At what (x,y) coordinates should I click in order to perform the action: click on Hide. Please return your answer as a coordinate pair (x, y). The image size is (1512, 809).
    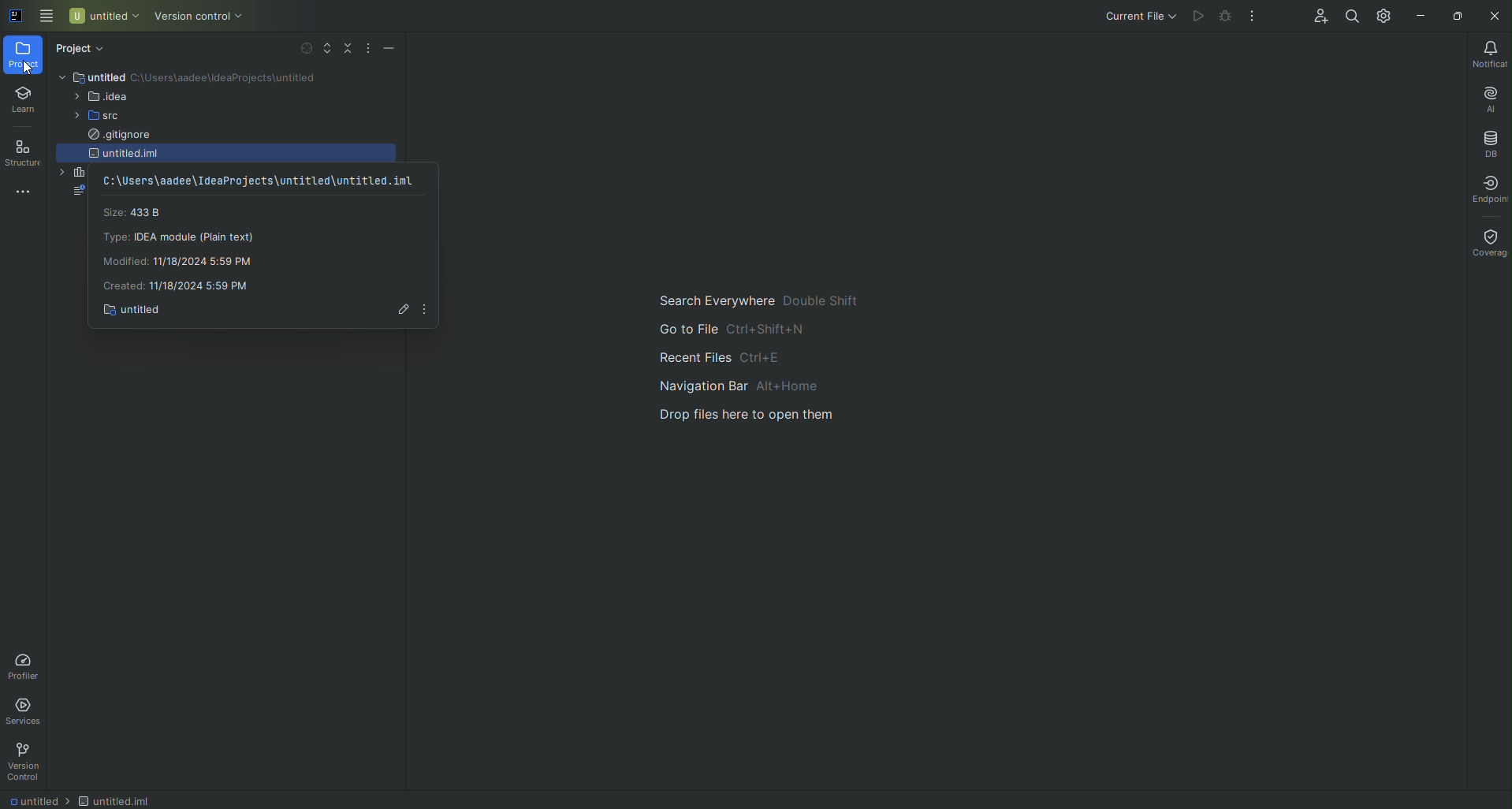
    Looking at the image, I should click on (388, 49).